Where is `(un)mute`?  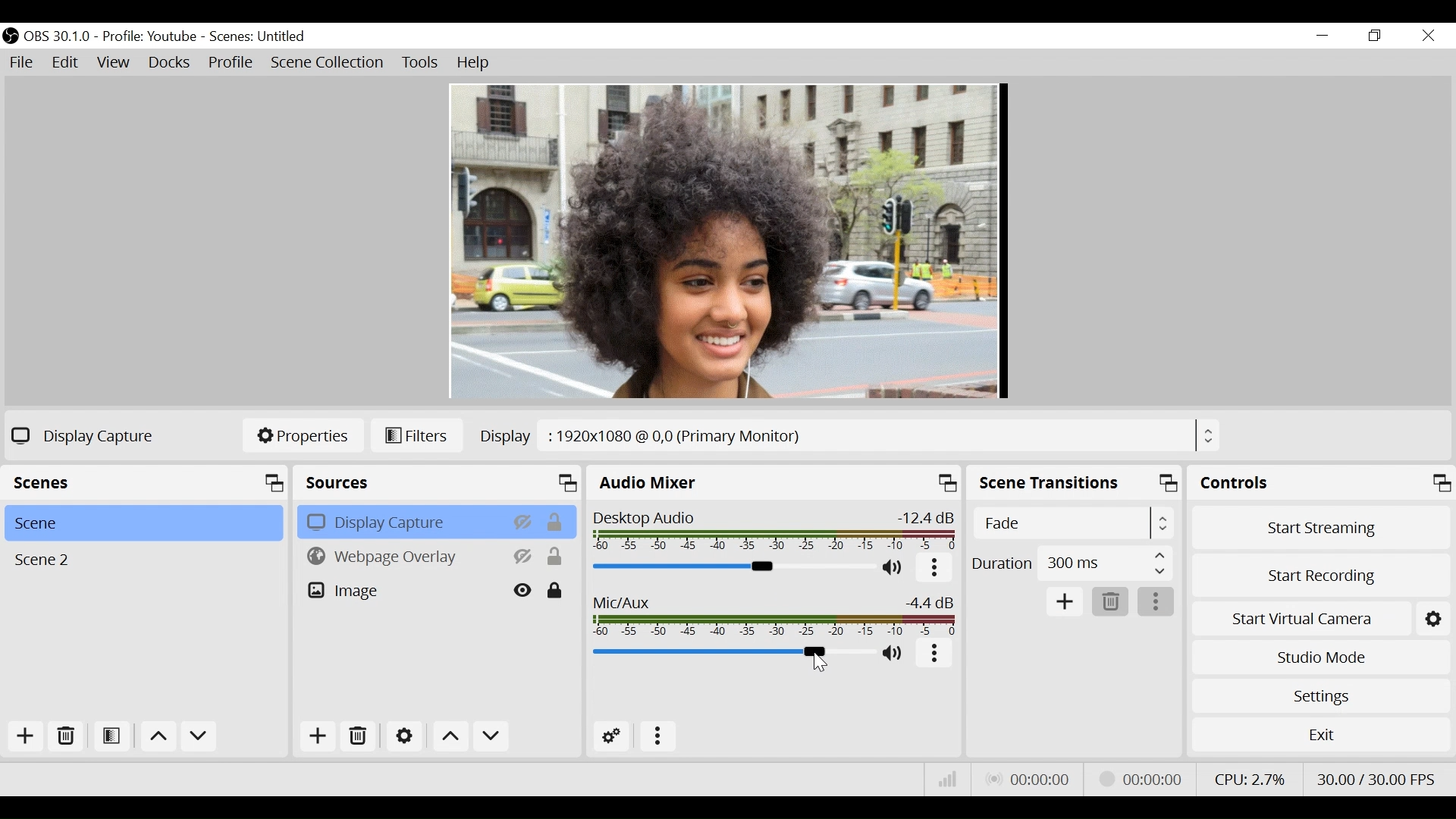
(un)mute is located at coordinates (896, 568).